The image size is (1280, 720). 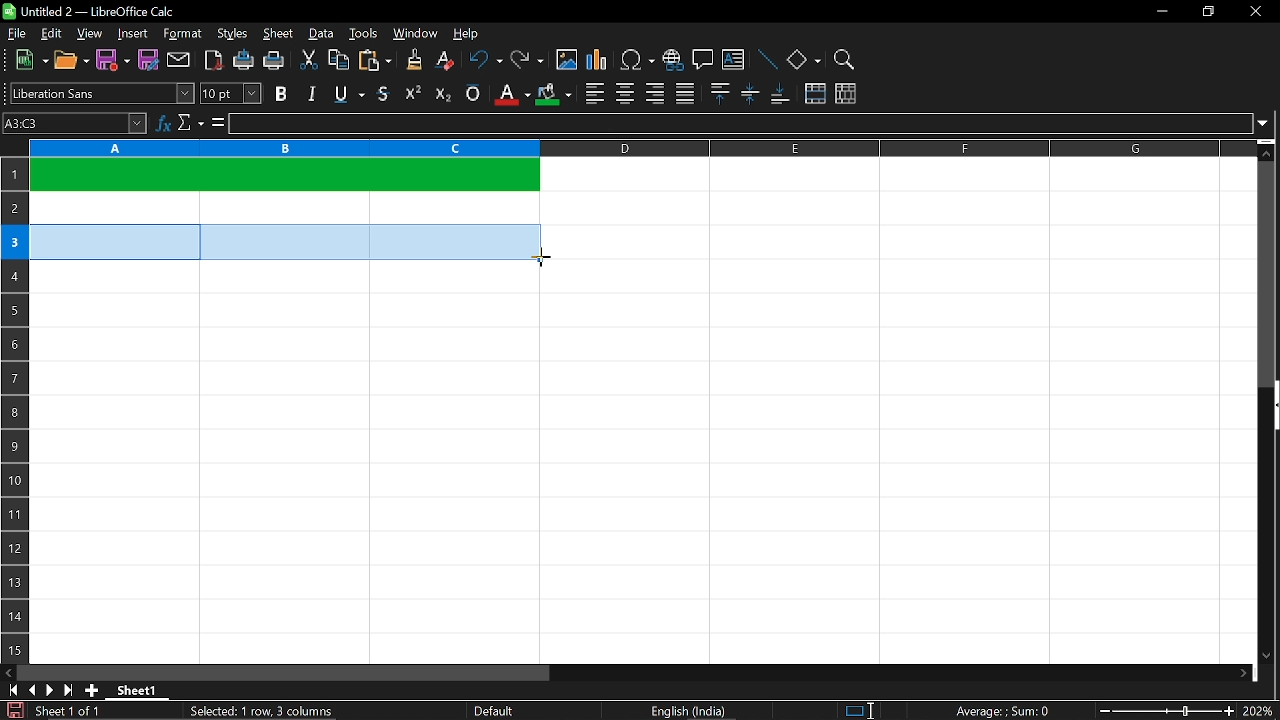 I want to click on underline, so click(x=346, y=94).